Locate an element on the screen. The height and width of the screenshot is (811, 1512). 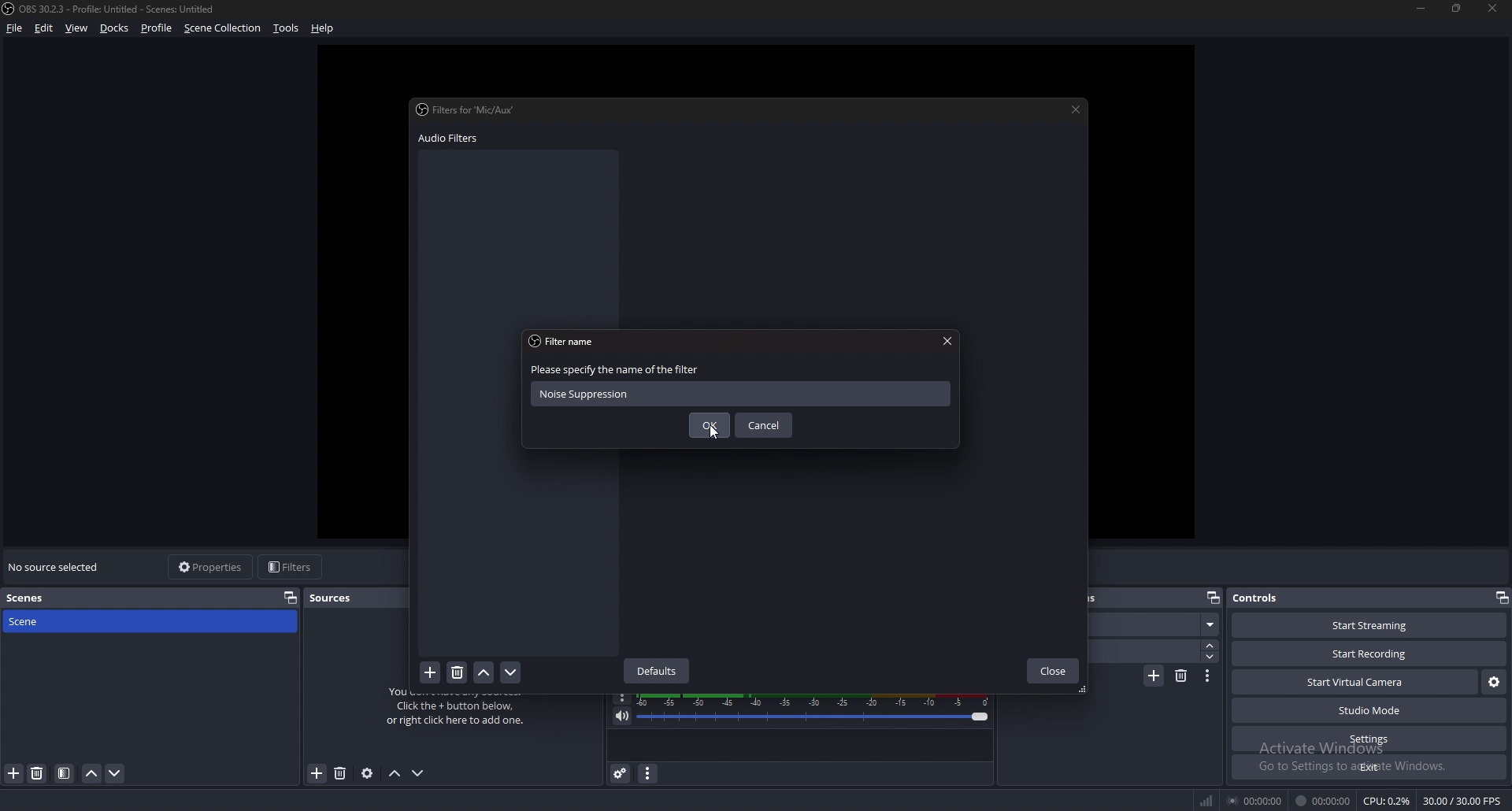
move source up is located at coordinates (395, 774).